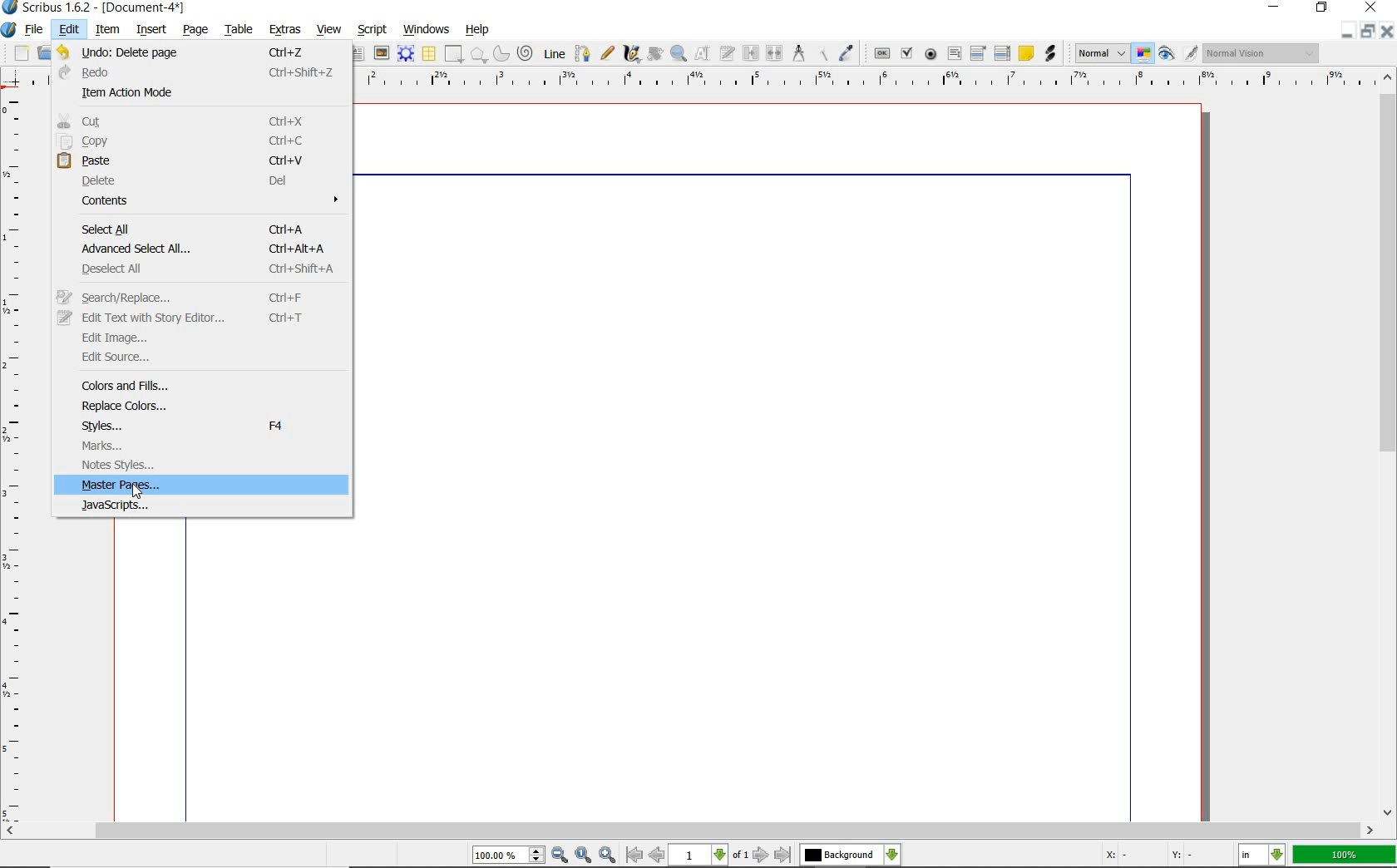 The image size is (1397, 868). I want to click on render frame, so click(406, 53).